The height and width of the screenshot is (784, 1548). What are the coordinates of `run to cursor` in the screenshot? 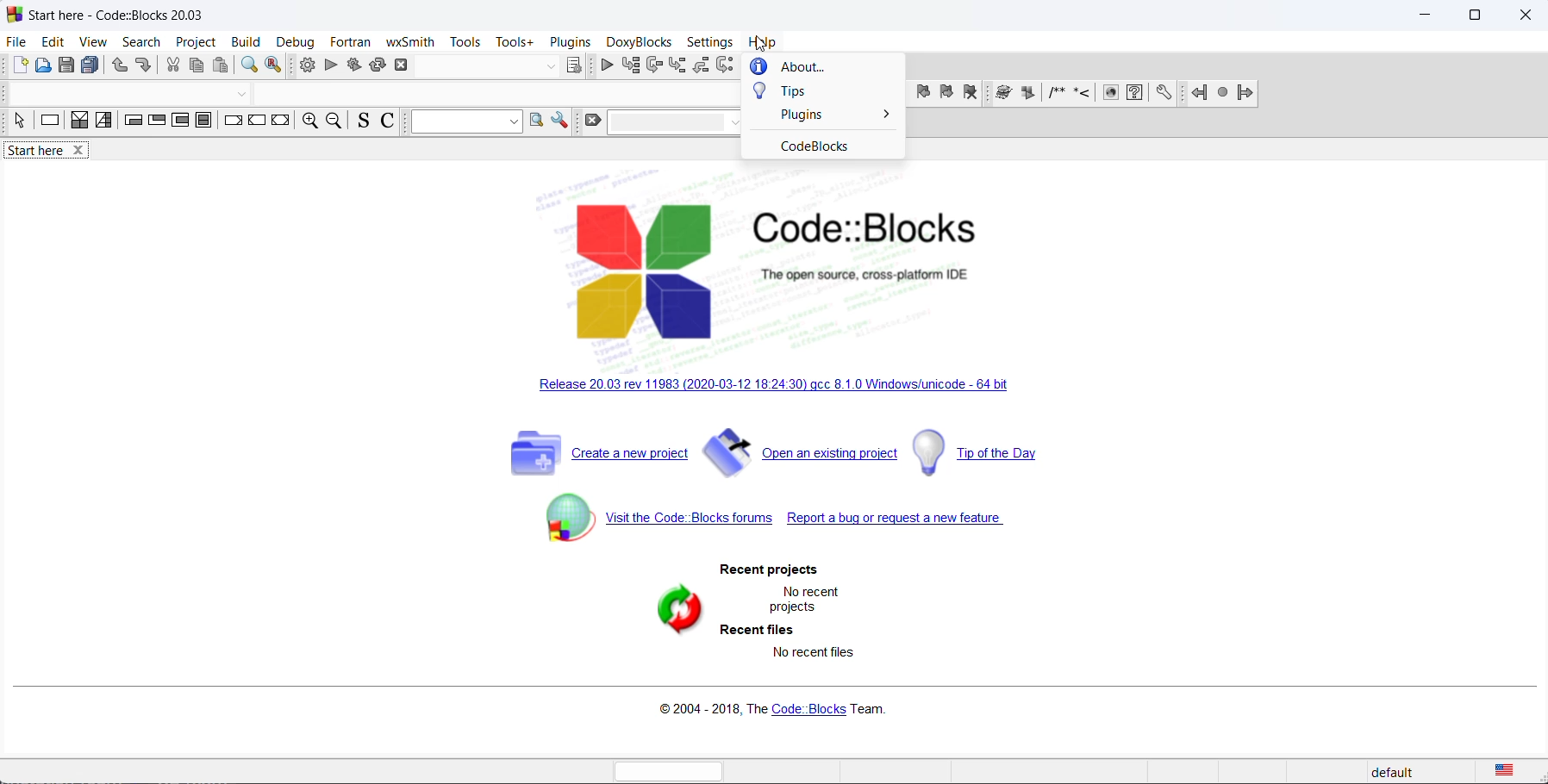 It's located at (630, 67).